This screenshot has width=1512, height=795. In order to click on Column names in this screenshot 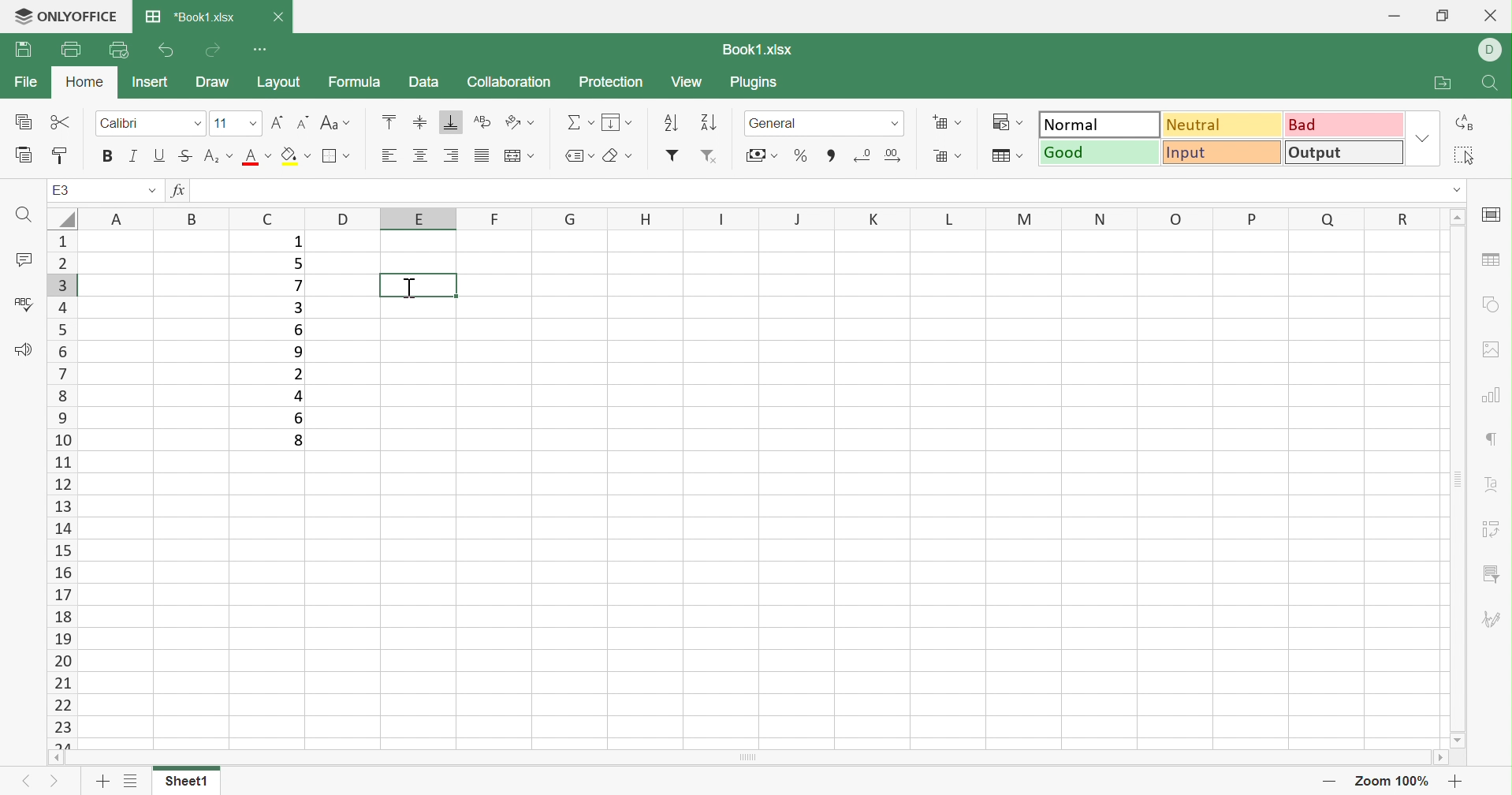, I will do `click(741, 218)`.